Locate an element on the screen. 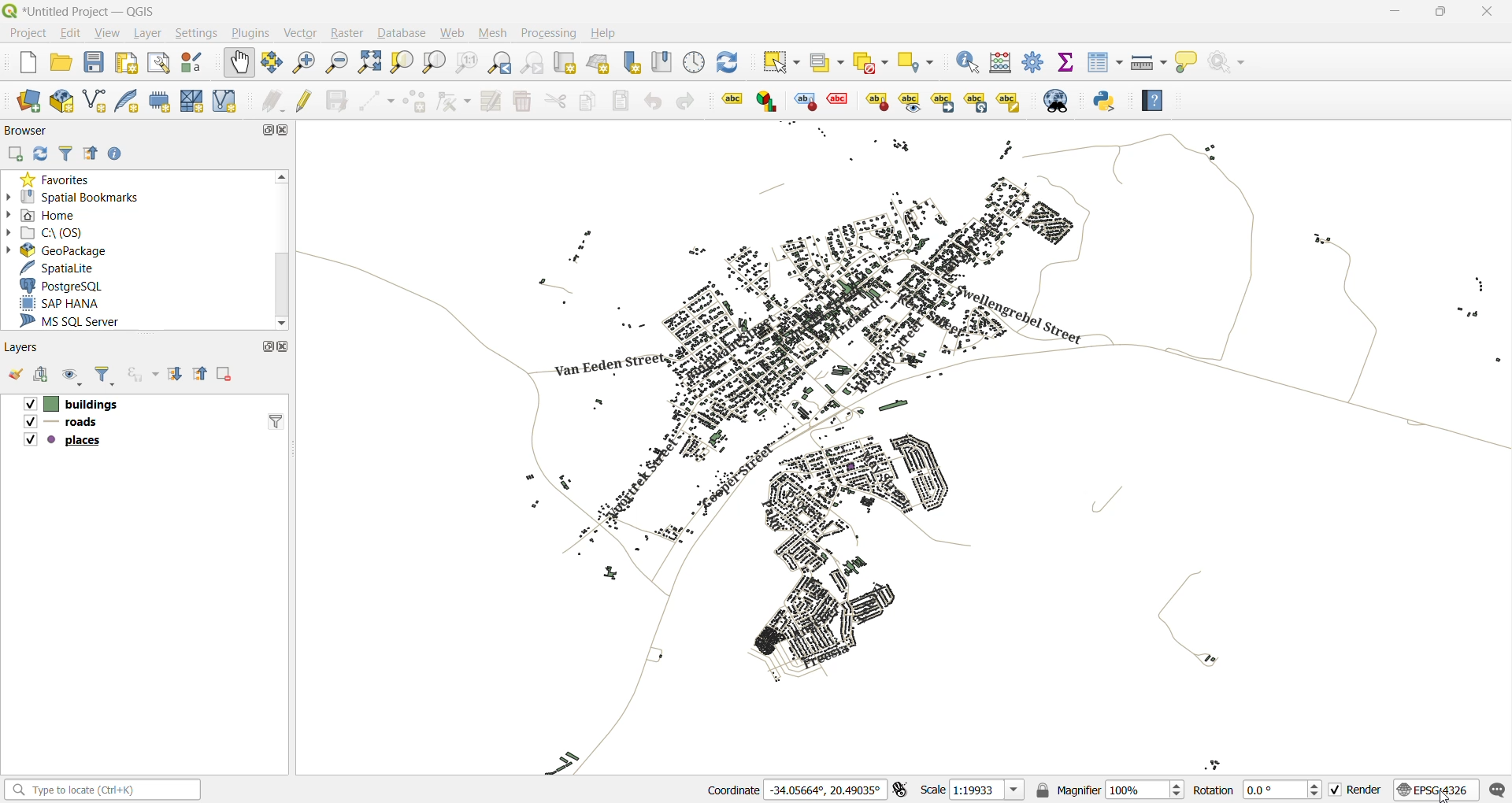 This screenshot has height=803, width=1512. zoom last is located at coordinates (500, 60).